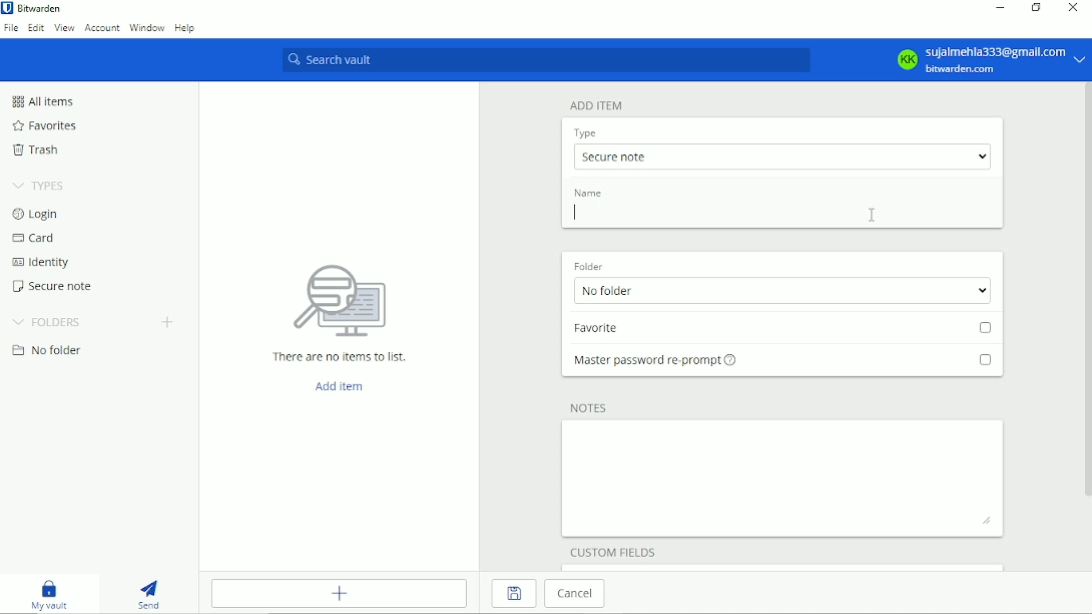  What do you see at coordinates (49, 593) in the screenshot?
I see `My vault` at bounding box center [49, 593].